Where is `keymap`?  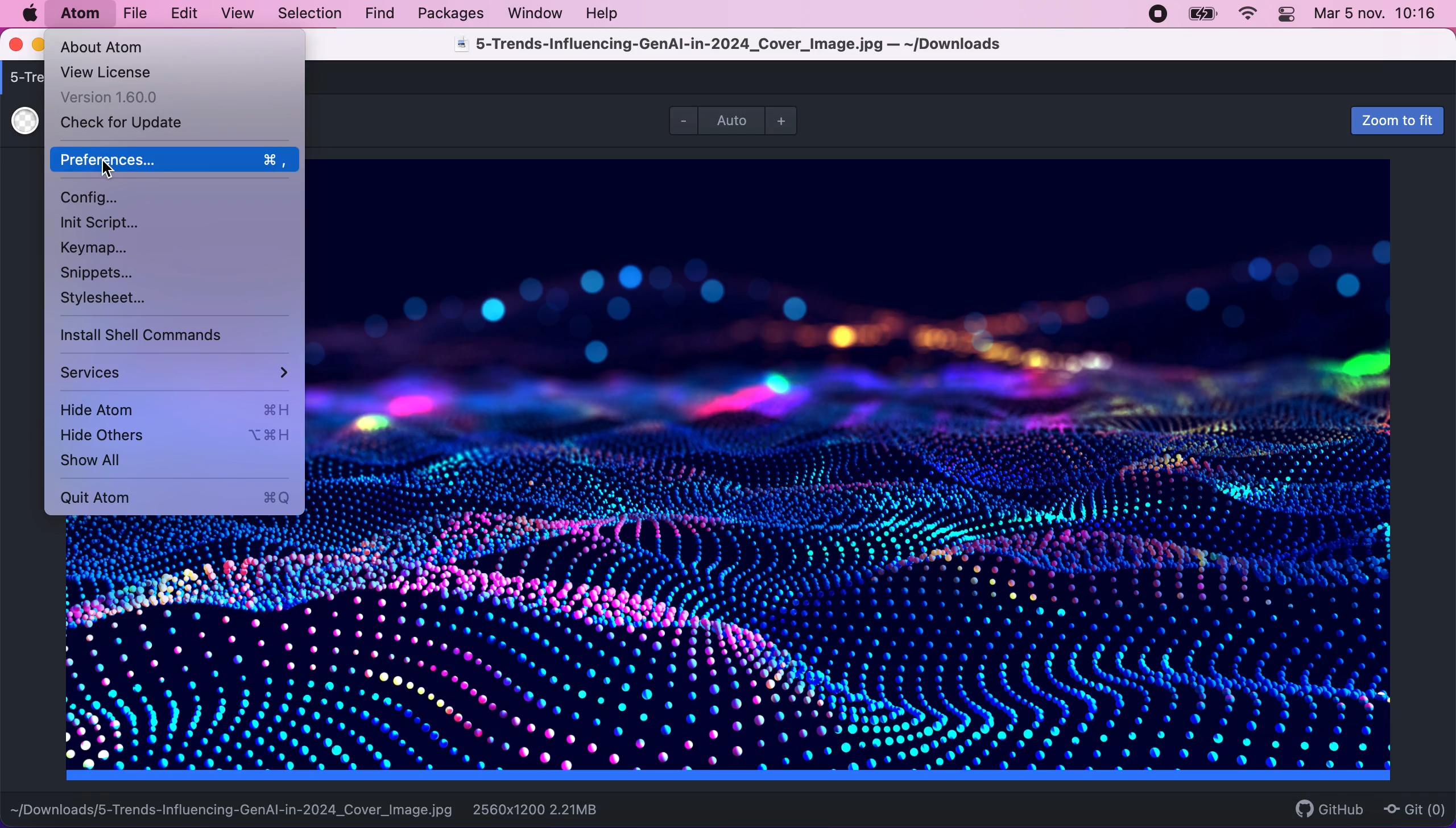
keymap is located at coordinates (96, 250).